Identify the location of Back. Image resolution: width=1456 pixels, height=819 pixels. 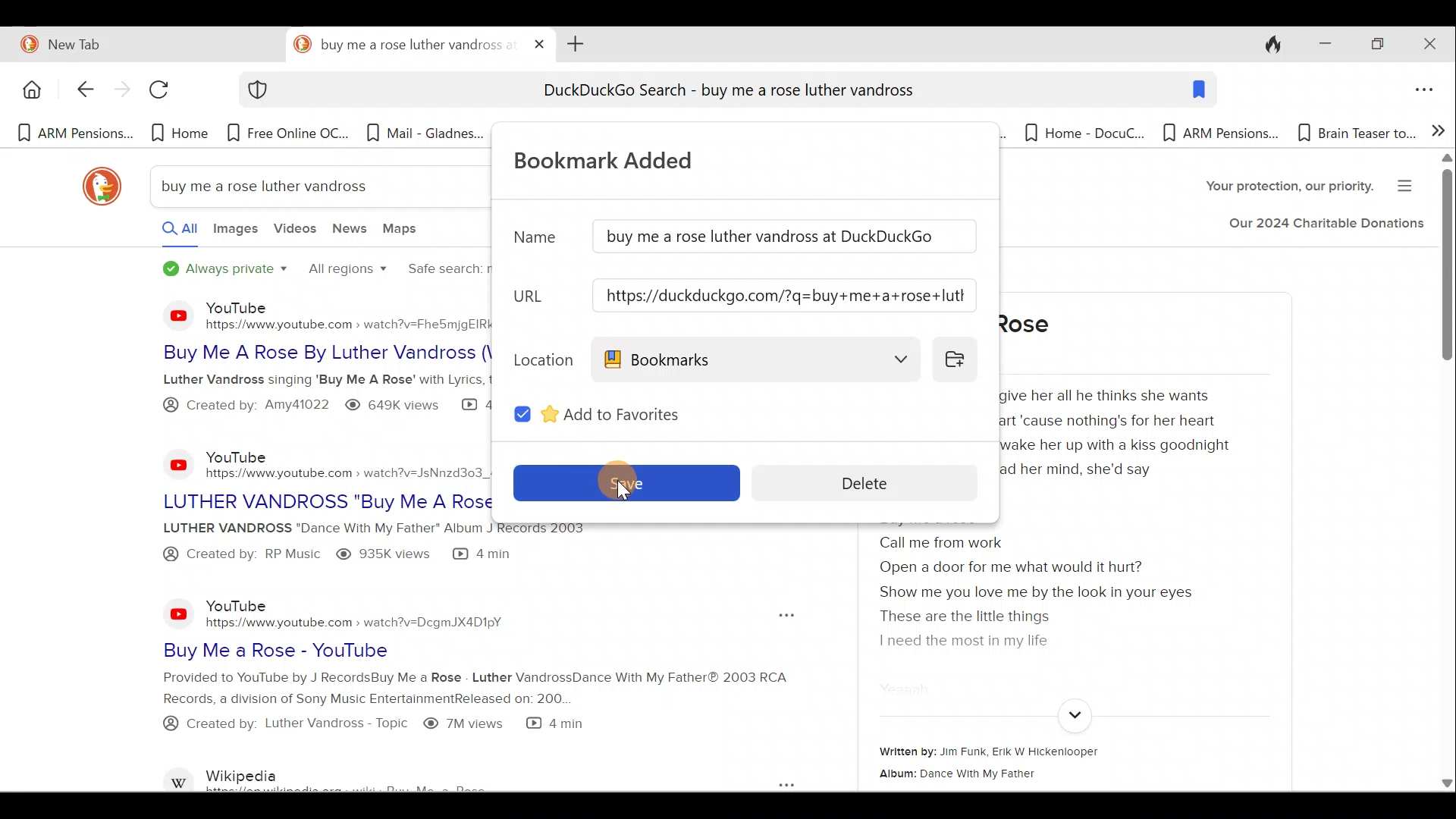
(77, 91).